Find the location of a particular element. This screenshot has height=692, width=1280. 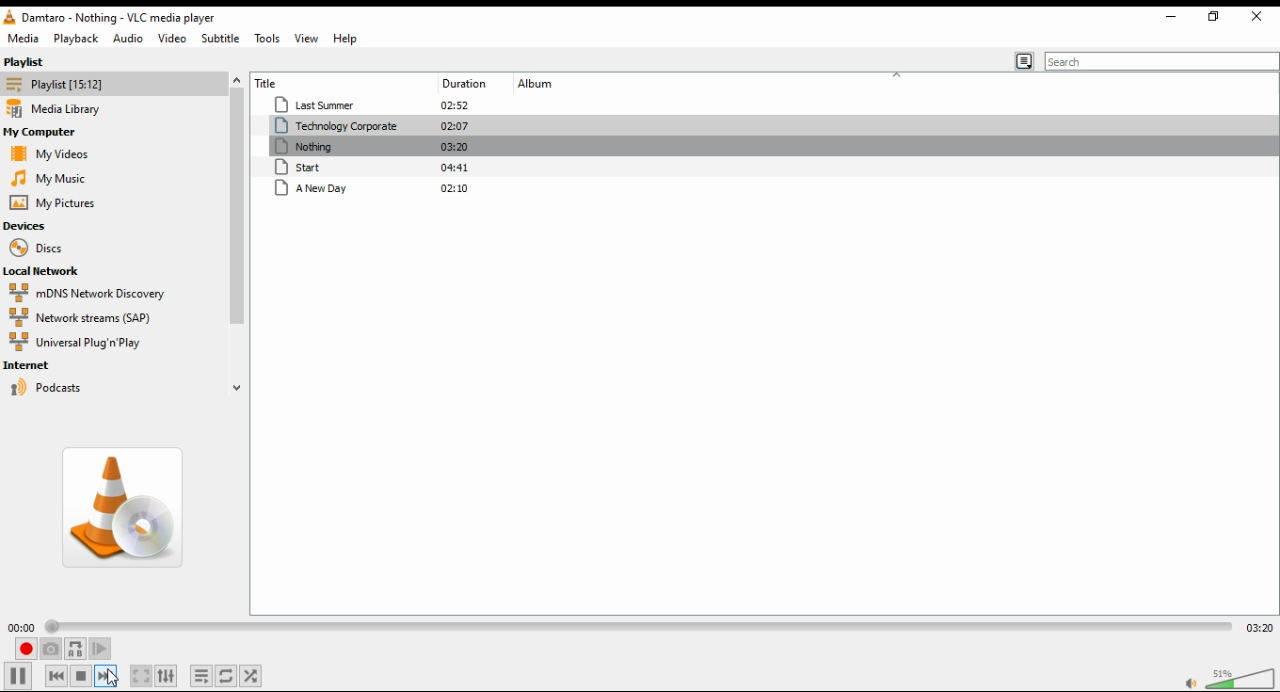

local network is located at coordinates (63, 274).